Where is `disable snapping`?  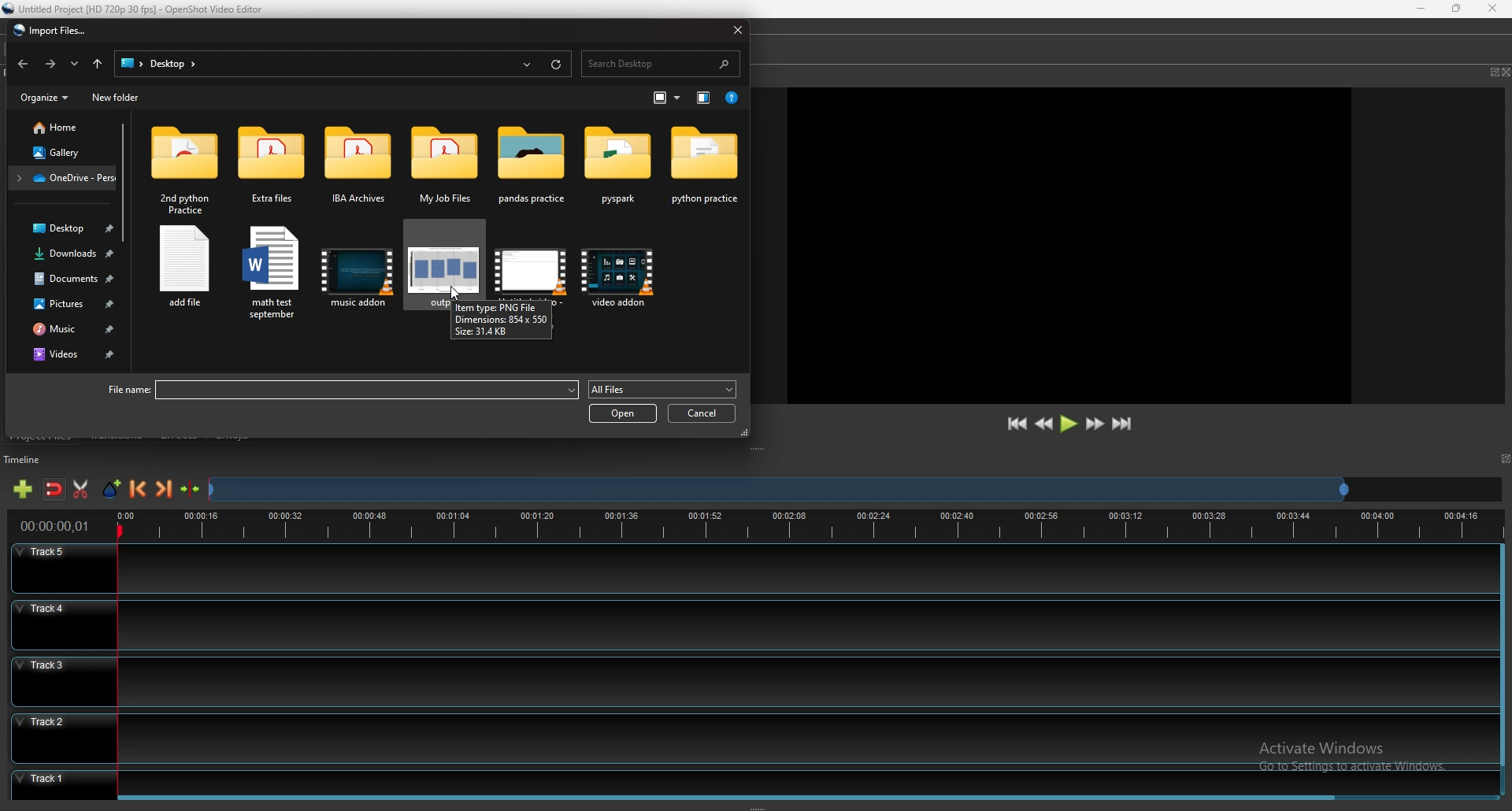
disable snapping is located at coordinates (54, 490).